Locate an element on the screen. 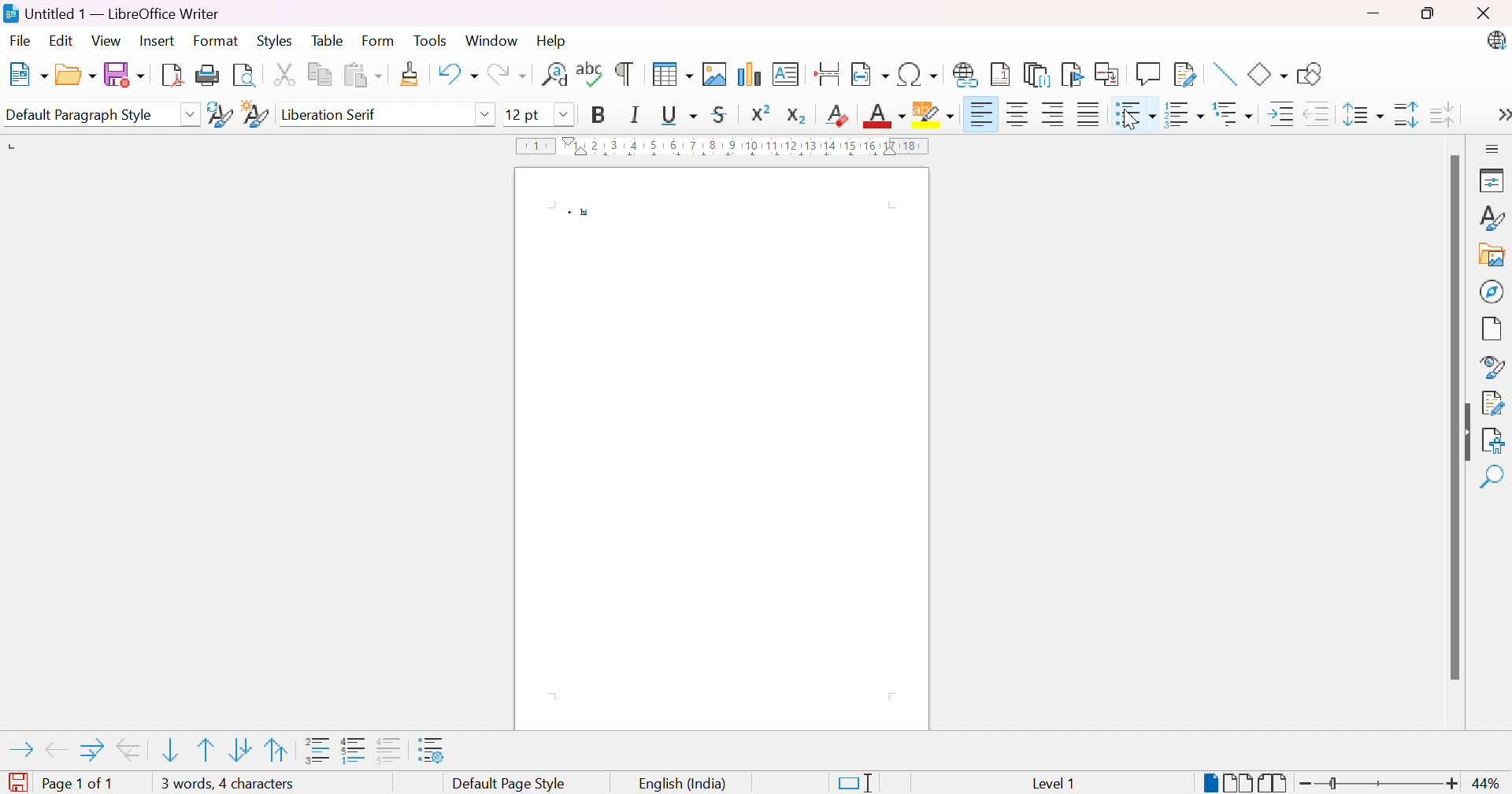 The image size is (1512, 794). More is located at coordinates (1503, 117).